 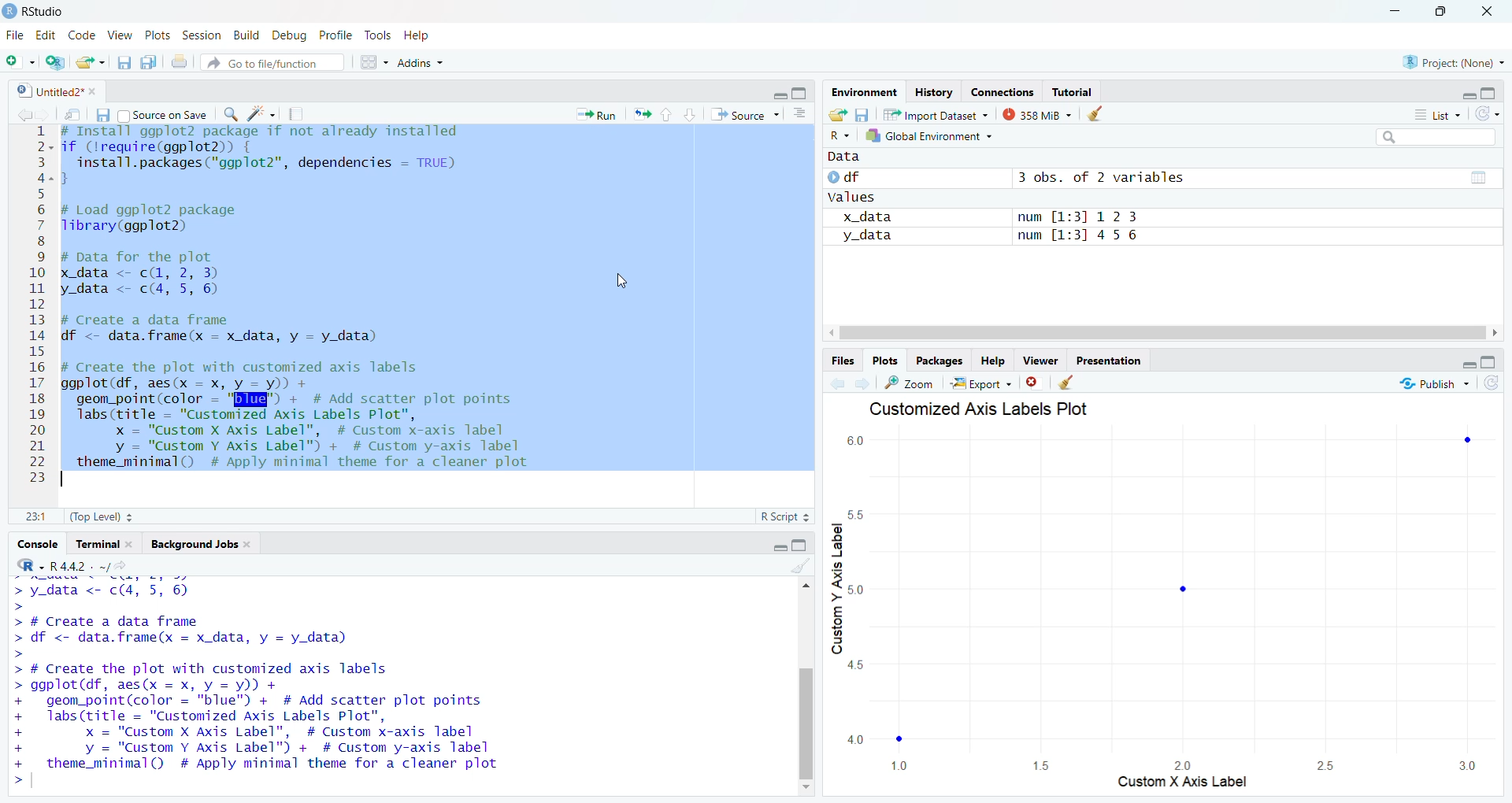 What do you see at coordinates (106, 544) in the screenshot?
I see `Terminal` at bounding box center [106, 544].